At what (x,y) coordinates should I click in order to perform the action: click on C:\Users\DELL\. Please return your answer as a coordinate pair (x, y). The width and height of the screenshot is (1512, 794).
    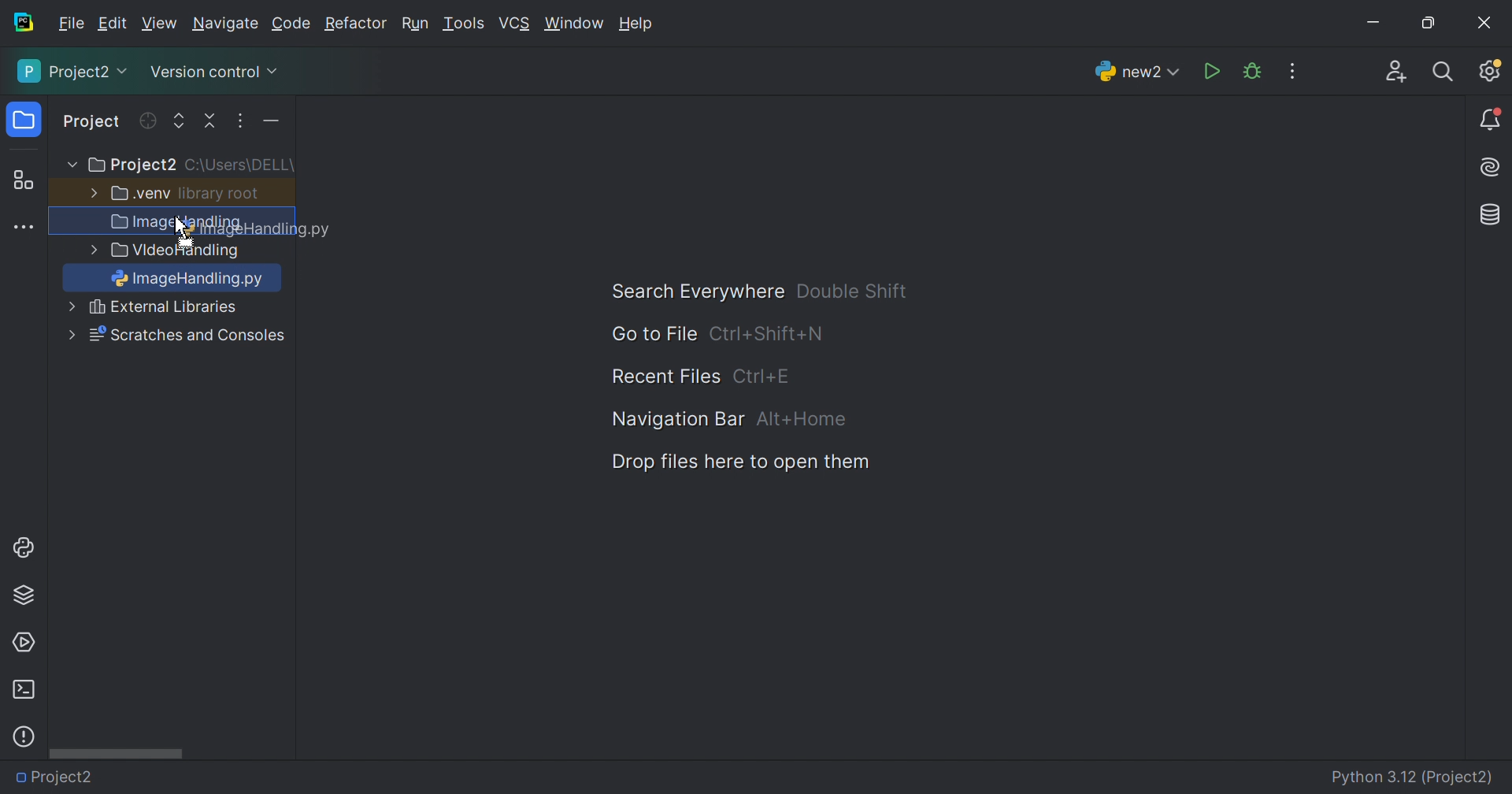
    Looking at the image, I should click on (239, 165).